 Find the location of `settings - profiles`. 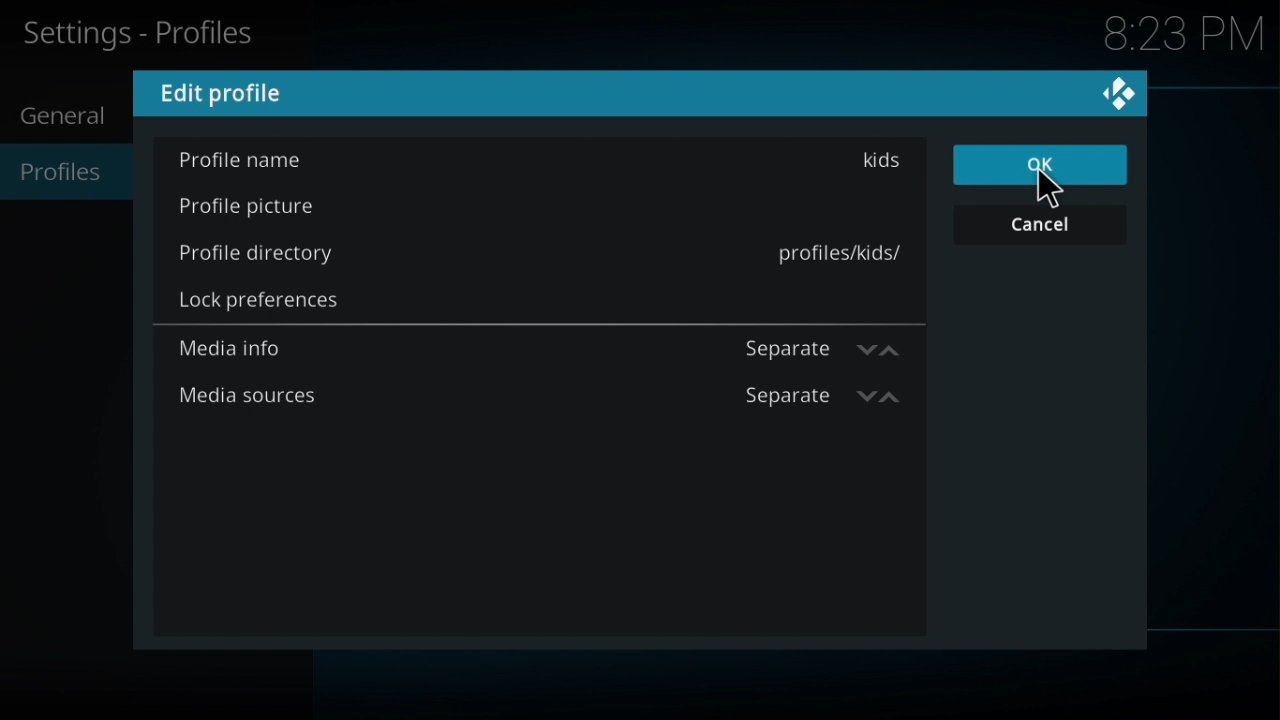

settings - profiles is located at coordinates (145, 37).